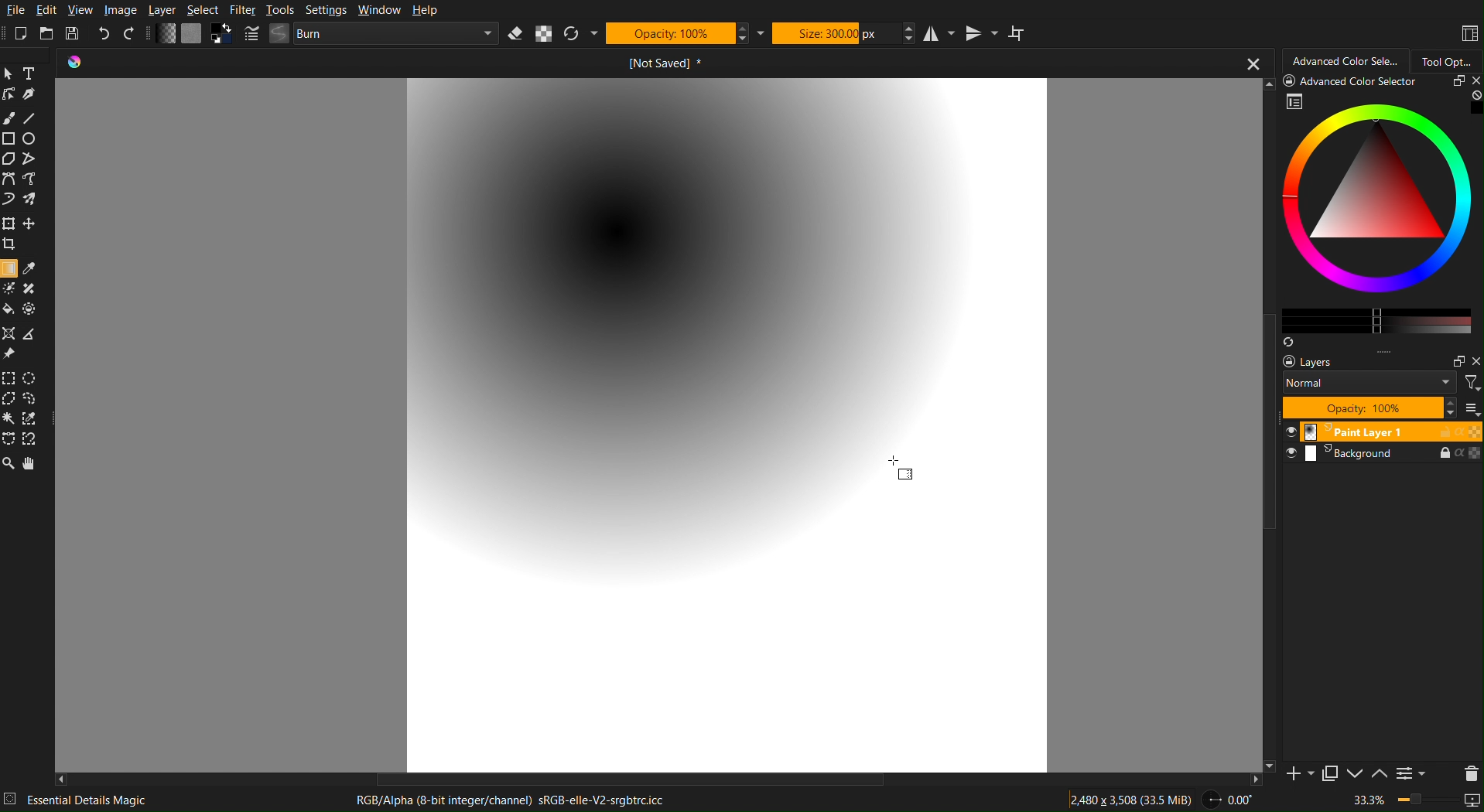 This screenshot has width=1484, height=812. What do you see at coordinates (1295, 779) in the screenshot?
I see `Add Slide` at bounding box center [1295, 779].